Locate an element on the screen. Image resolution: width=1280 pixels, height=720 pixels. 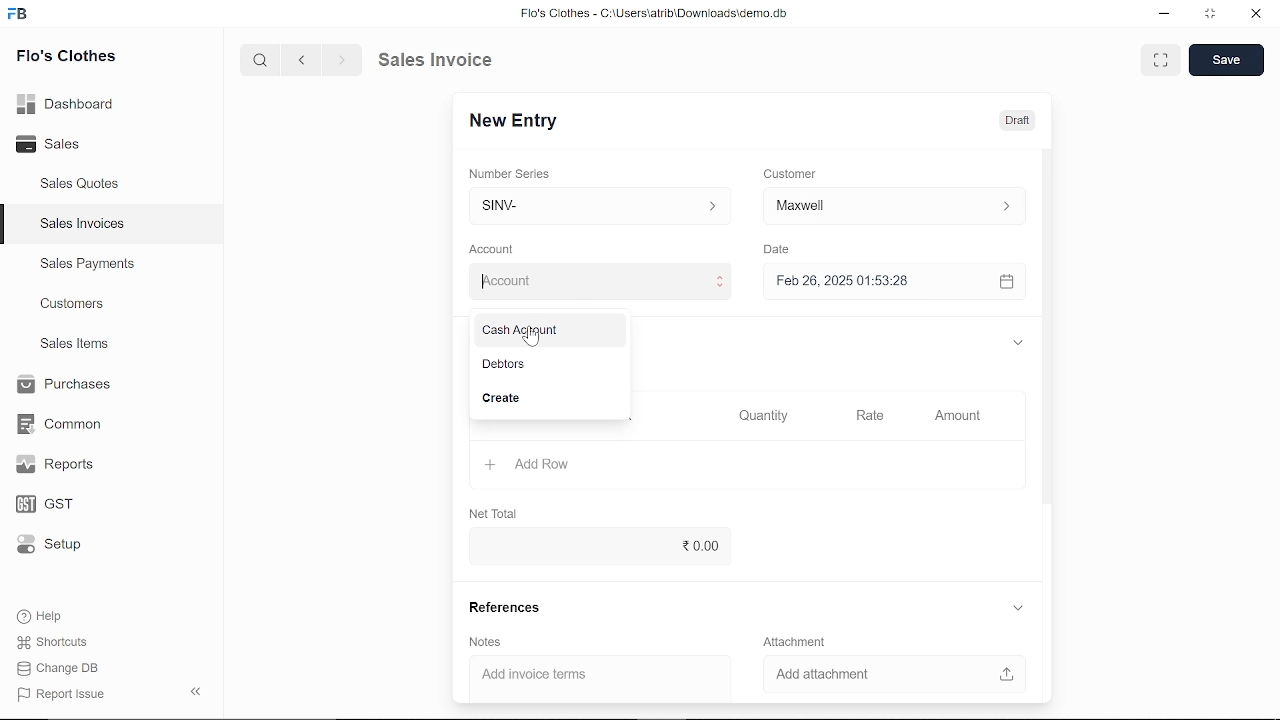
| Report Issue: is located at coordinates (64, 694).